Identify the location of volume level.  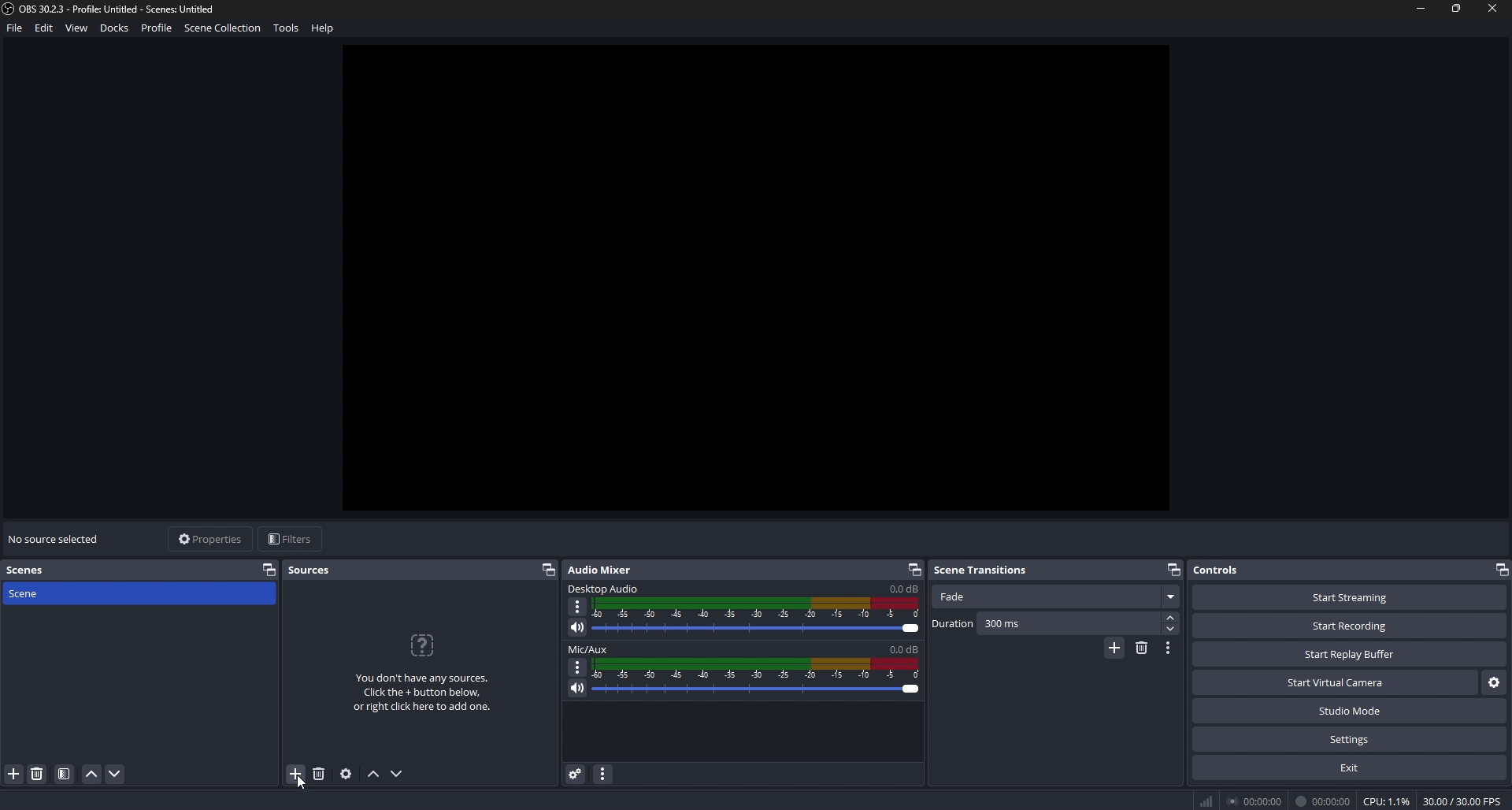
(902, 649).